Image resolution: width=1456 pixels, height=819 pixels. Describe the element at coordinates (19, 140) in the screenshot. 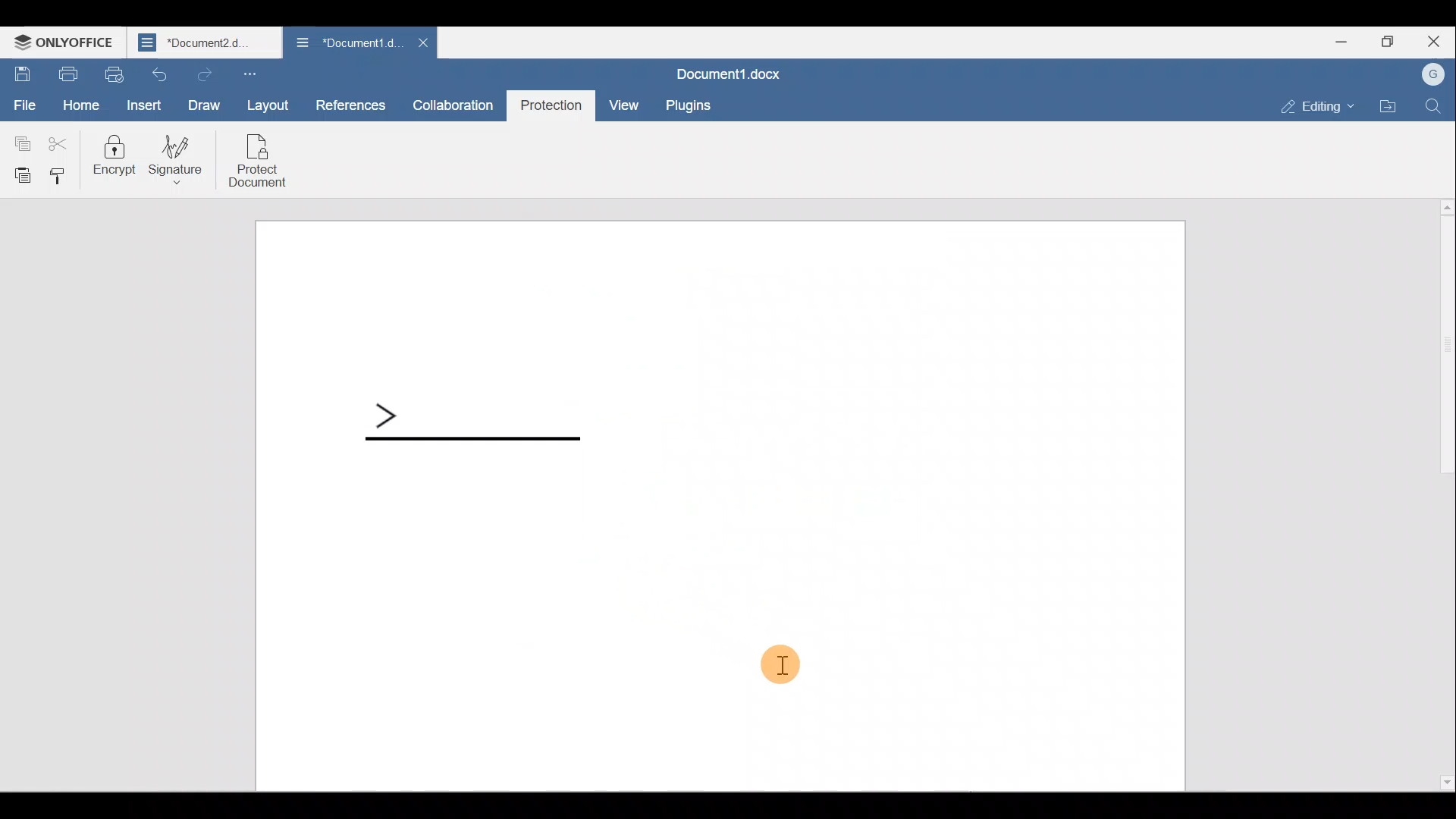

I see `Copy` at that location.